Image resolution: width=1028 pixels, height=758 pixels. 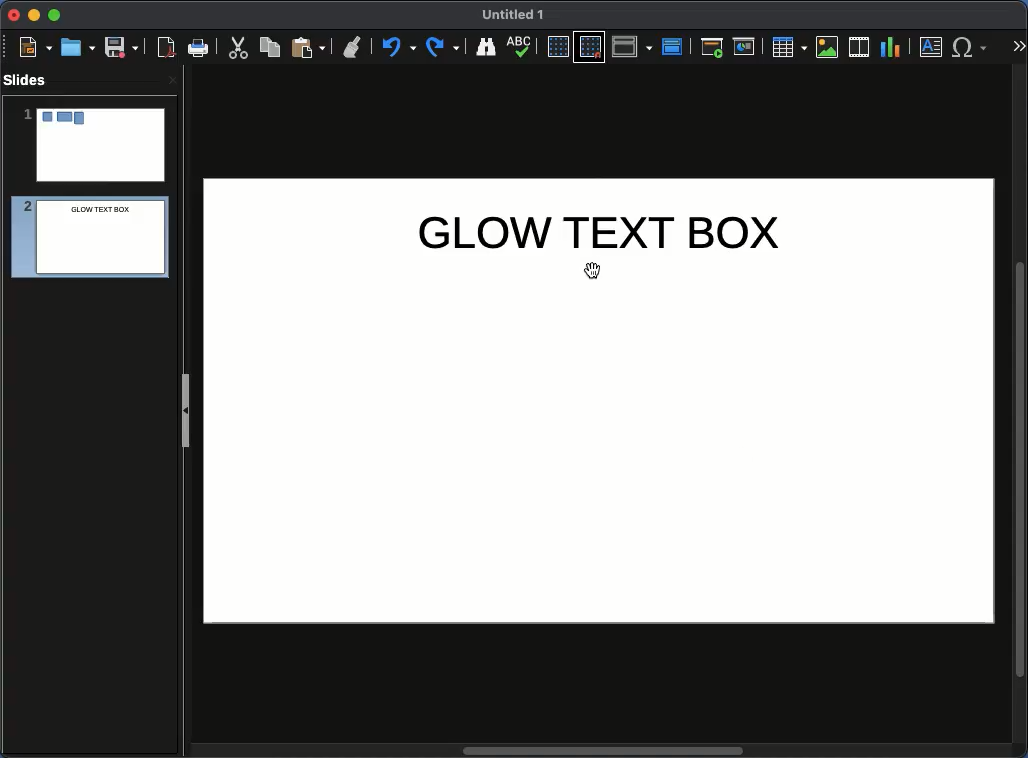 What do you see at coordinates (238, 47) in the screenshot?
I see `Cut` at bounding box center [238, 47].